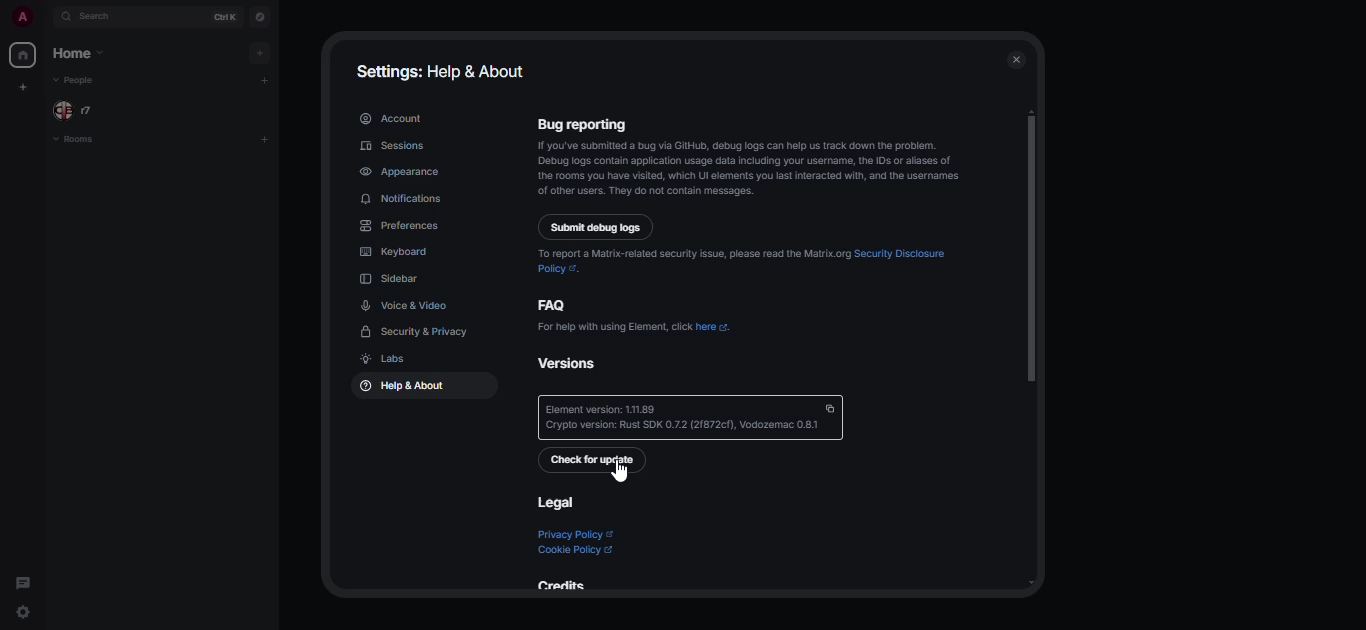  What do you see at coordinates (17, 17) in the screenshot?
I see `profile` at bounding box center [17, 17].